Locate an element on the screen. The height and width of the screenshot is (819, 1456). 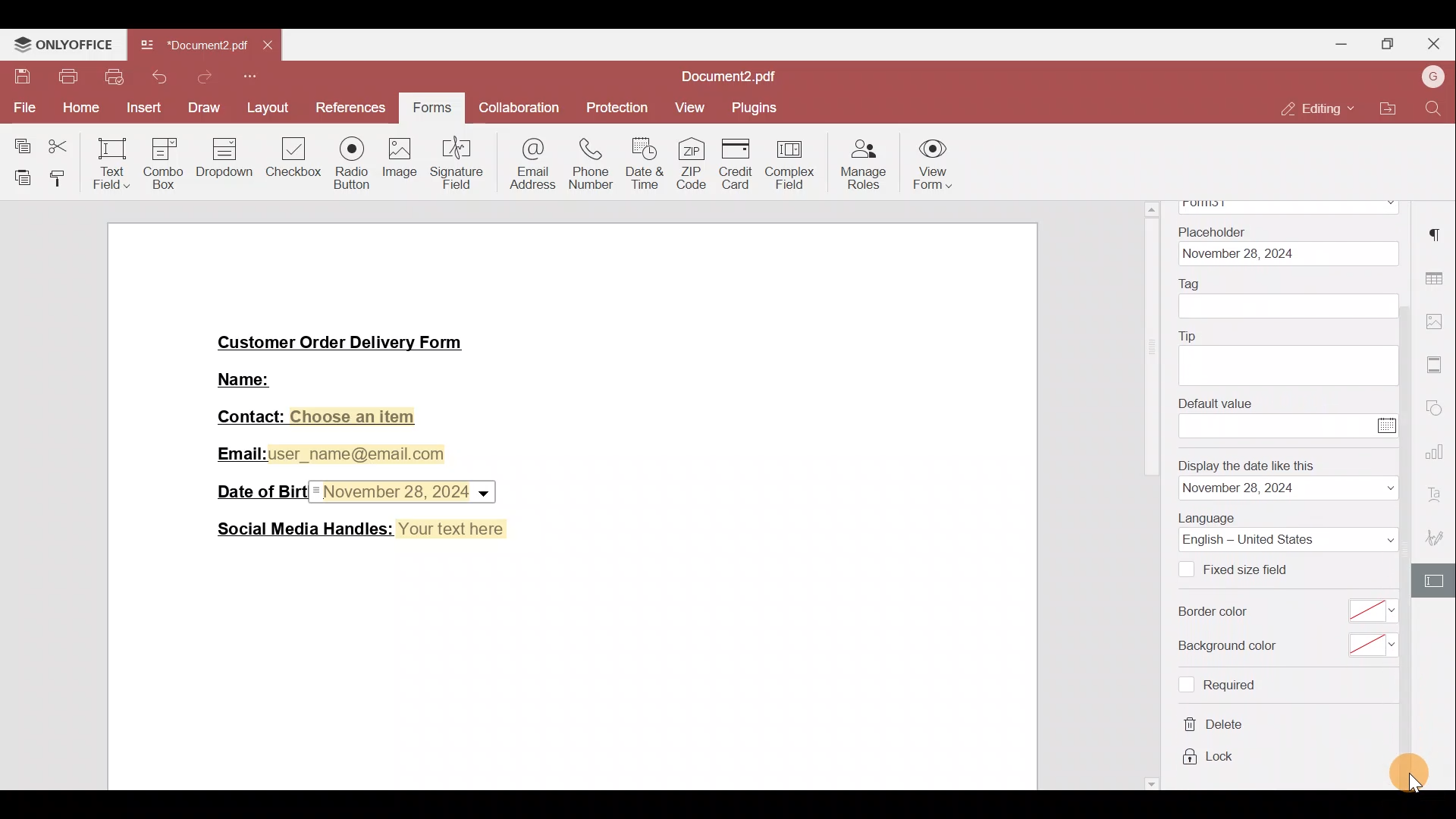
Undo is located at coordinates (157, 77).